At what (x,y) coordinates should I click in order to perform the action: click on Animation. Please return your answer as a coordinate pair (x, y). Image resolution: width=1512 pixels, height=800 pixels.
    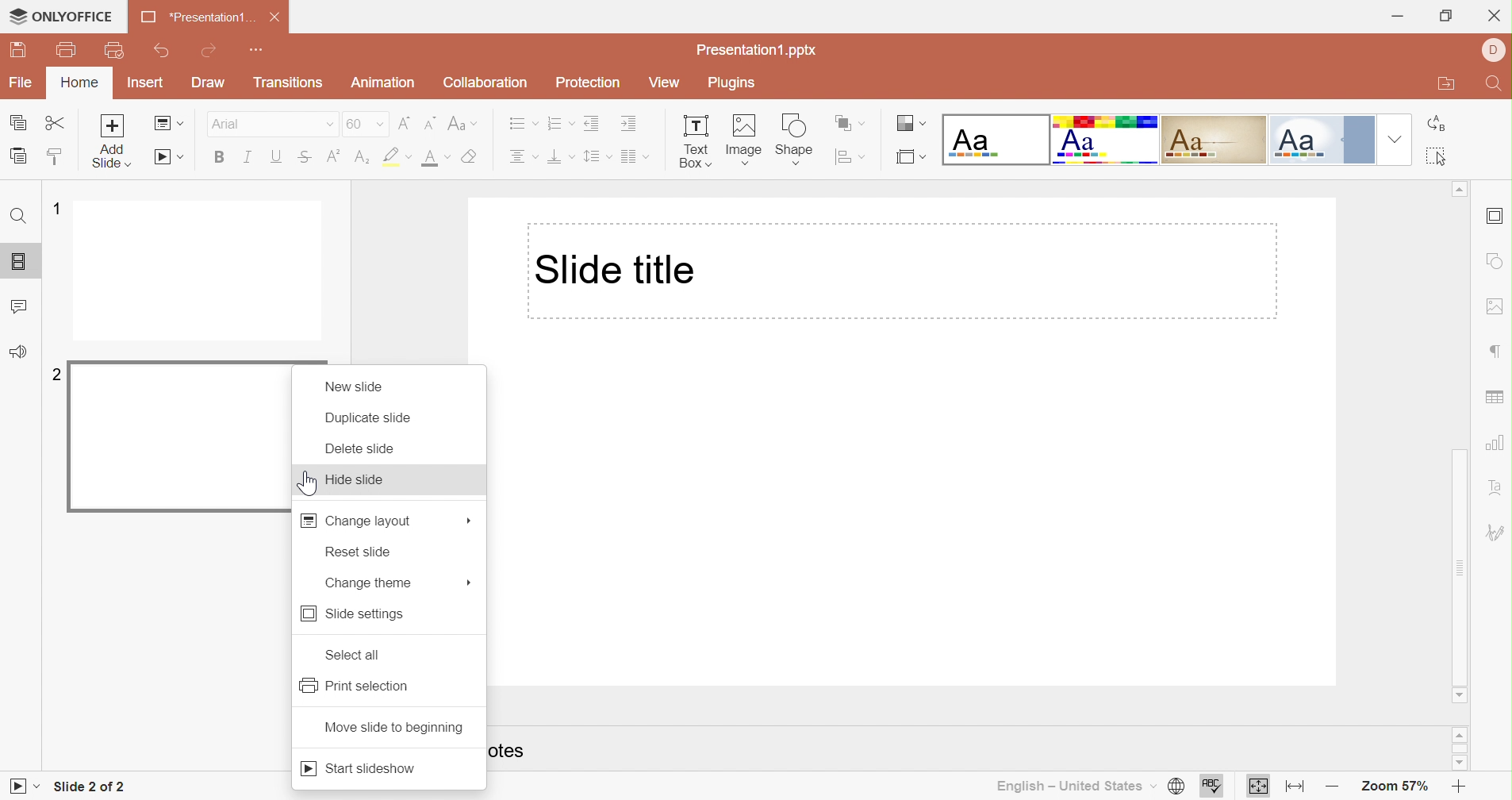
    Looking at the image, I should click on (384, 85).